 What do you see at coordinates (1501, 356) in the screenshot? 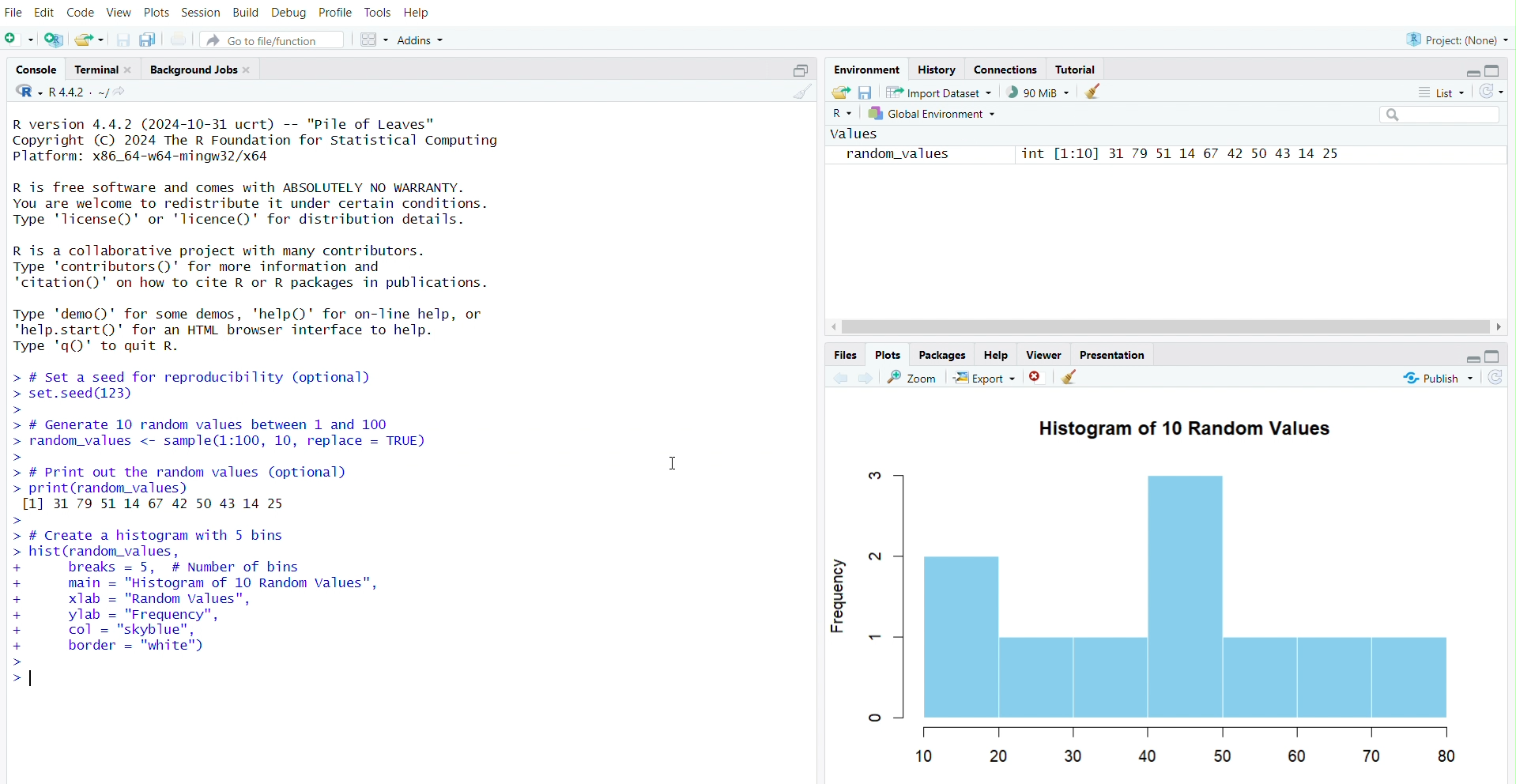
I see `maximize` at bounding box center [1501, 356].